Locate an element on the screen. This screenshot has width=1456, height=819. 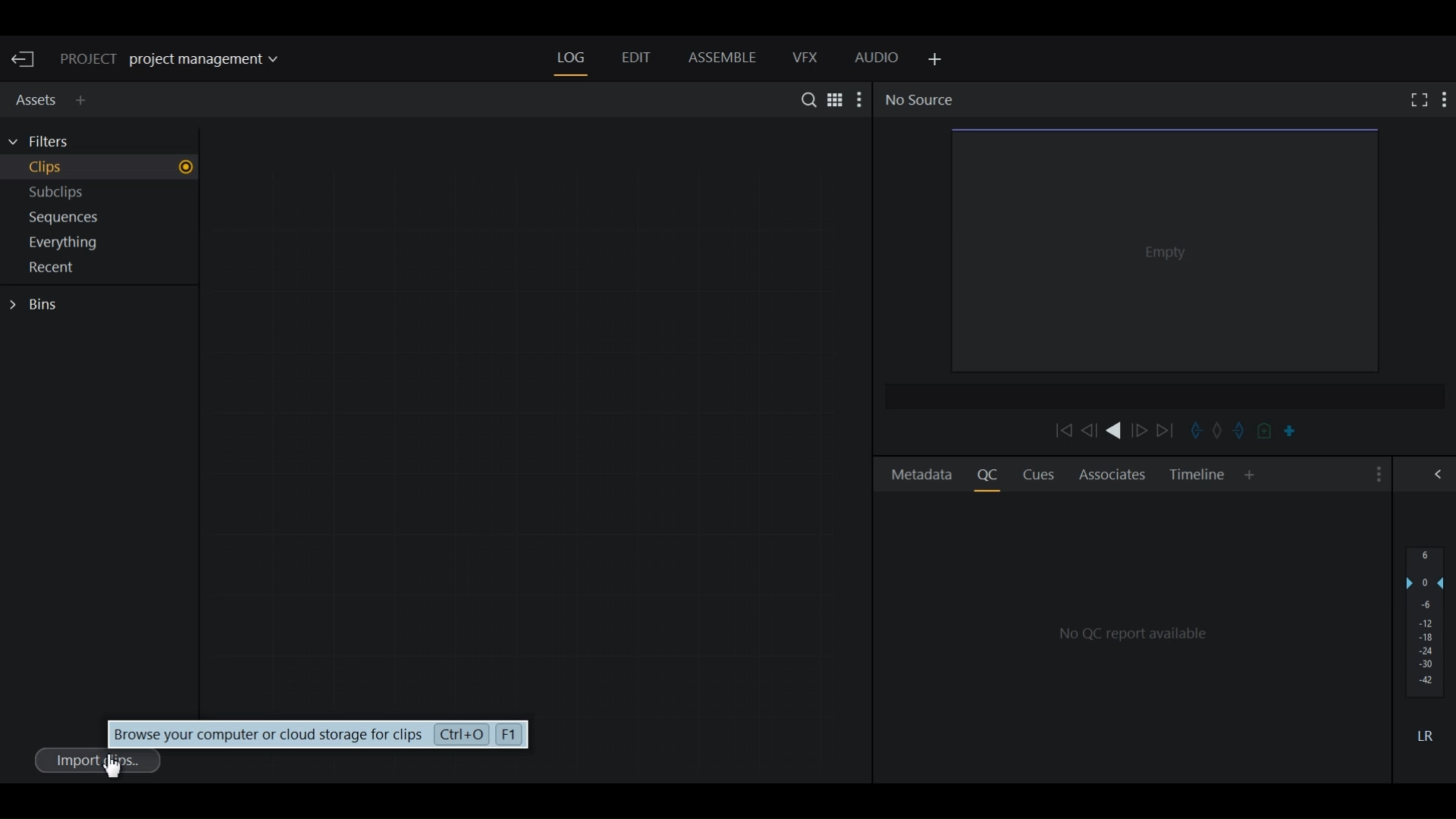
Show everything in current project is located at coordinates (103, 244).